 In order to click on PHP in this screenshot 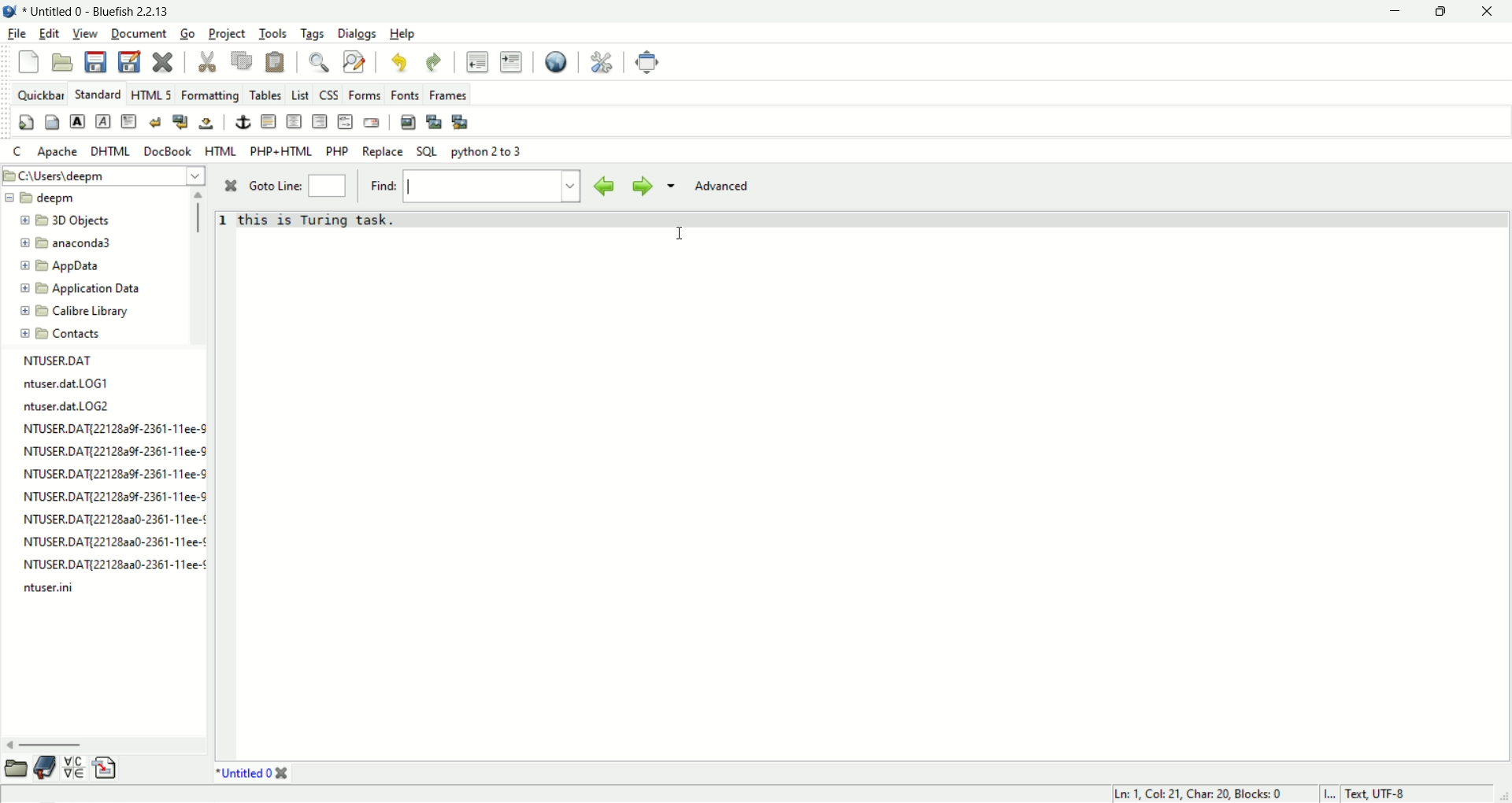, I will do `click(339, 151)`.